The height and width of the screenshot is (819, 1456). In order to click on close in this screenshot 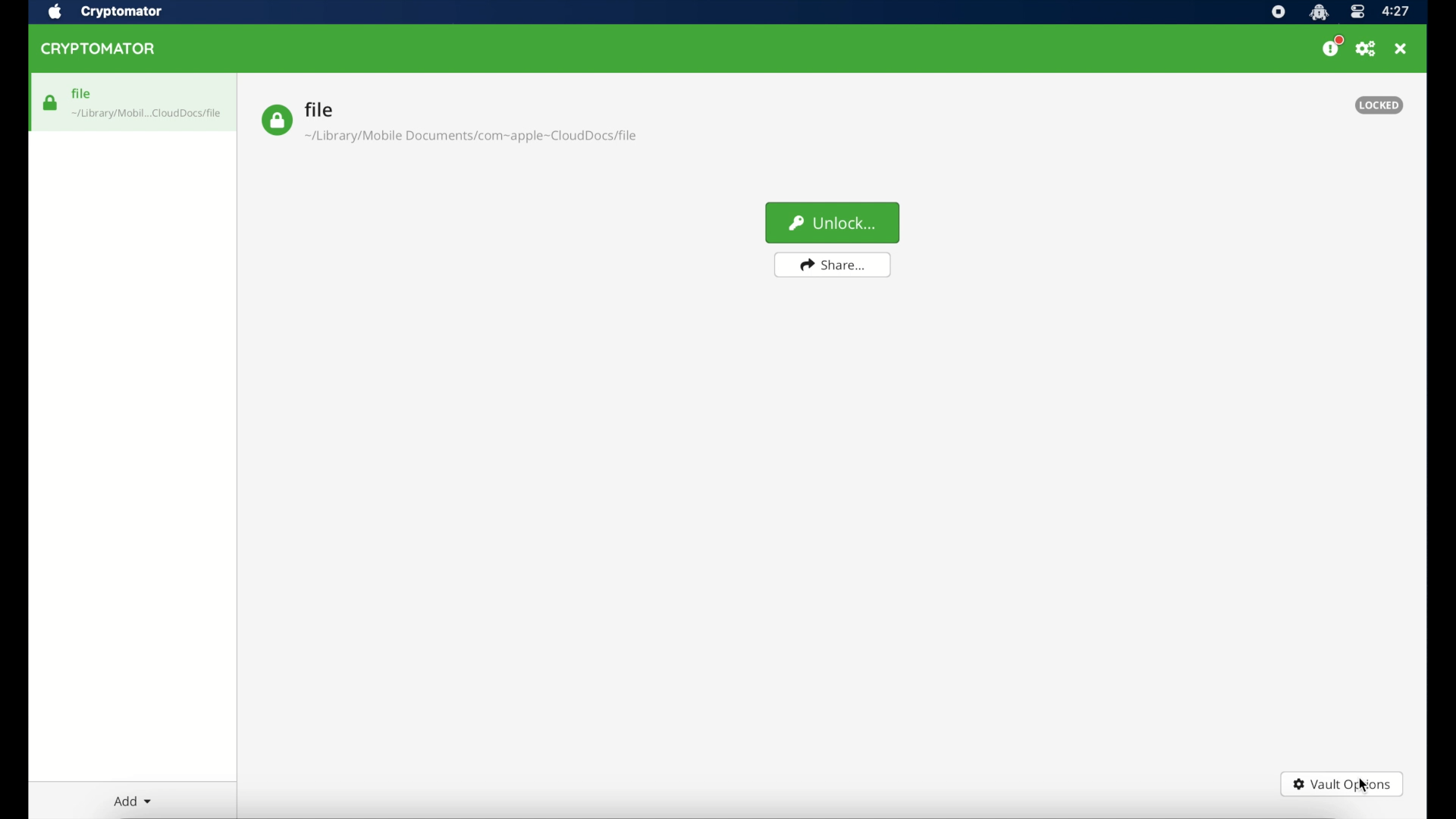, I will do `click(1402, 49)`.